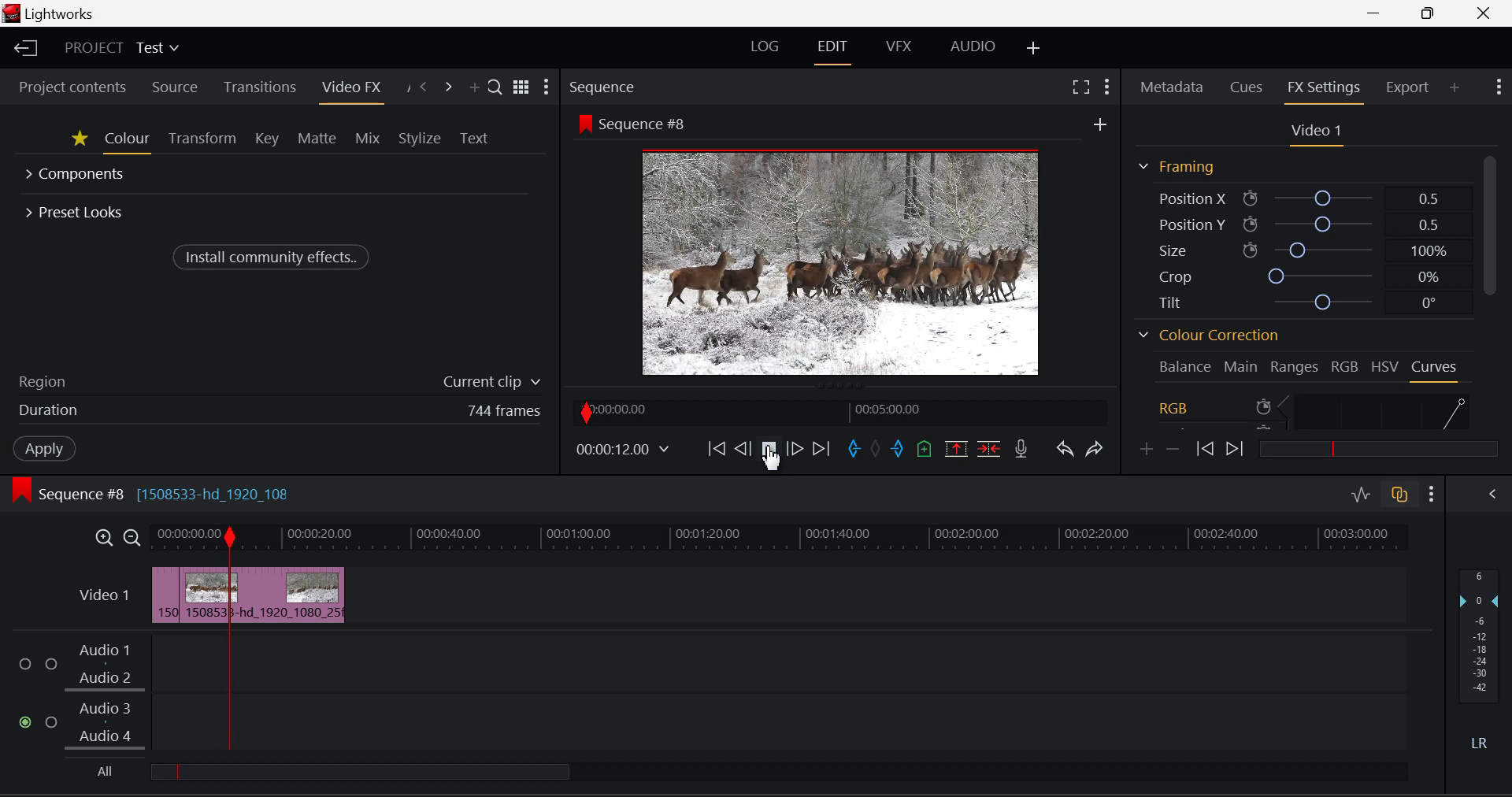 The height and width of the screenshot is (797, 1512). What do you see at coordinates (1171, 89) in the screenshot?
I see `Metadata Tab` at bounding box center [1171, 89].